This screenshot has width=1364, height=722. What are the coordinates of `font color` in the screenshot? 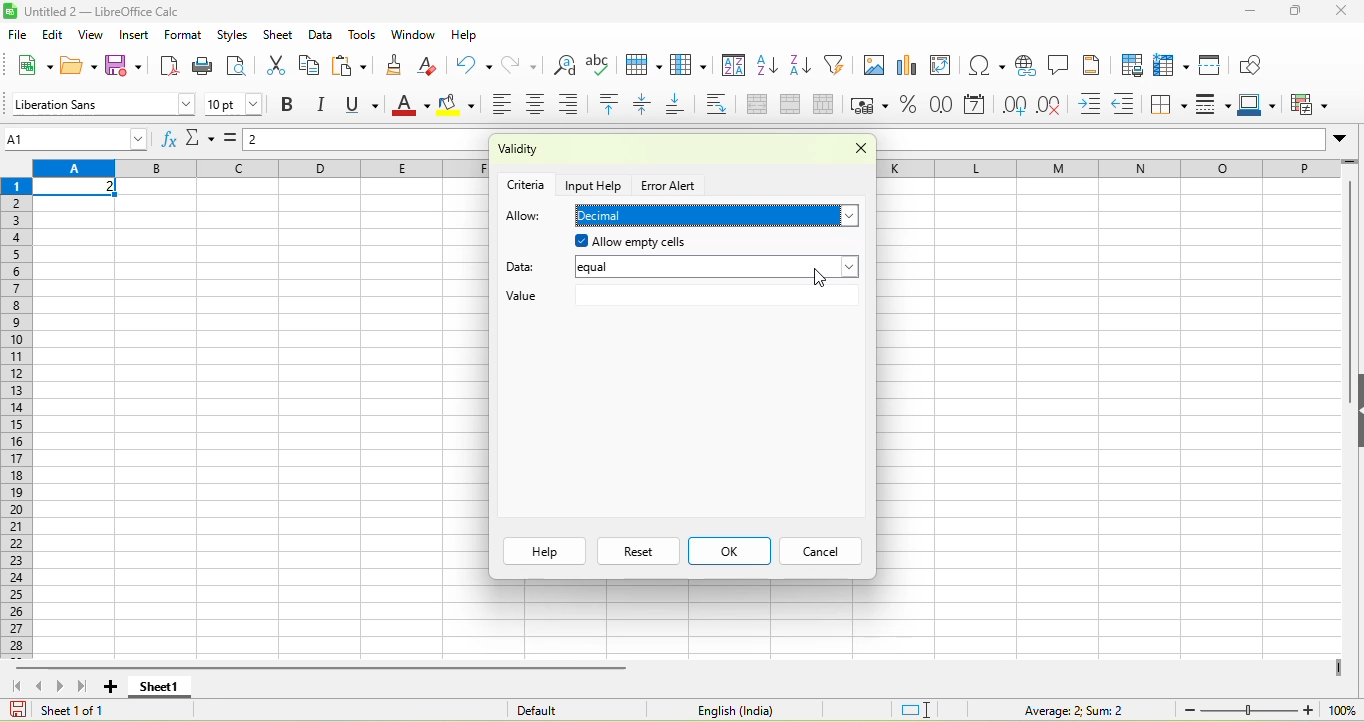 It's located at (411, 106).